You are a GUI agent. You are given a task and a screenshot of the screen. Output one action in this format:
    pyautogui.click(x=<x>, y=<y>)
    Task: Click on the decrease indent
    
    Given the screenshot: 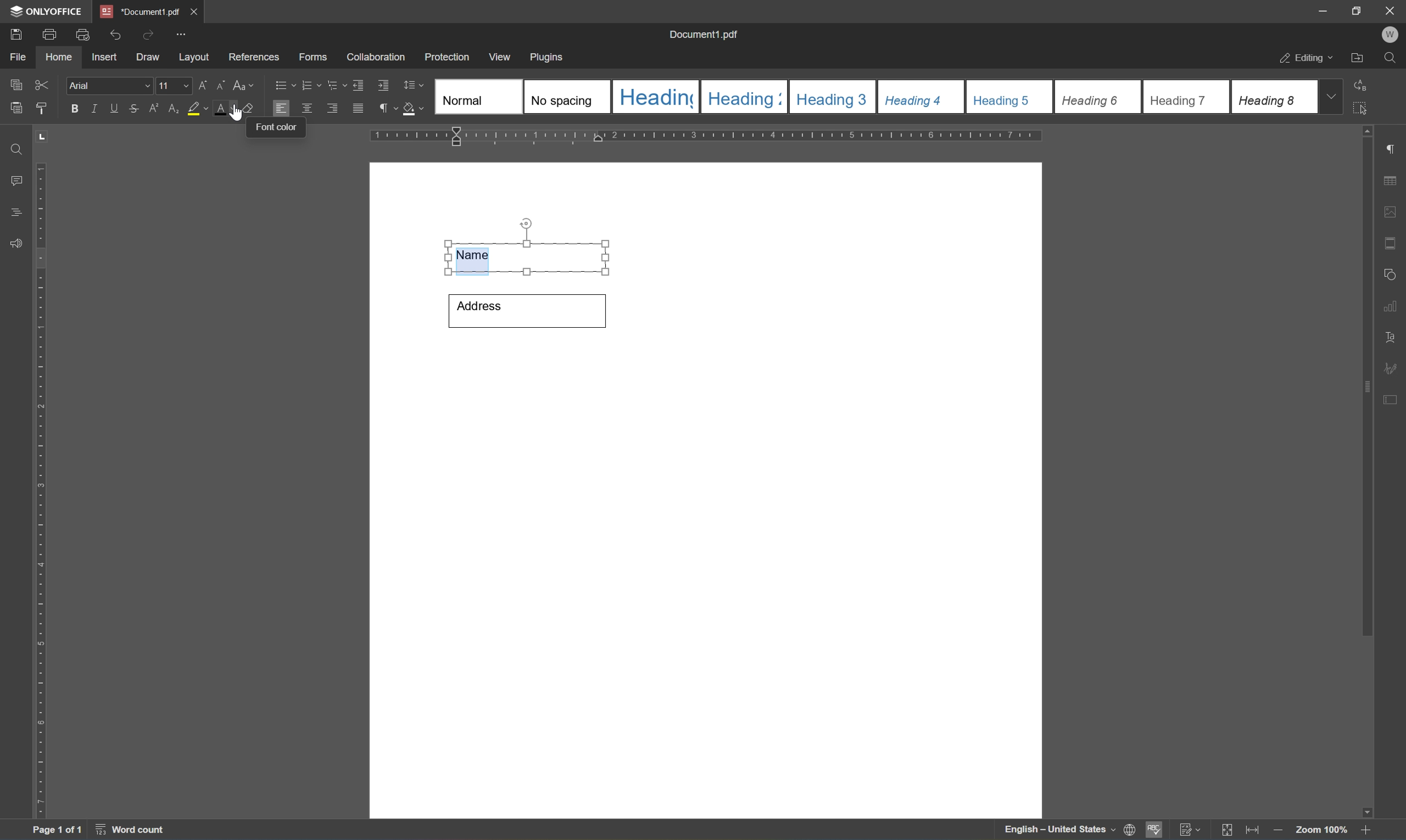 What is the action you would take?
    pyautogui.click(x=358, y=84)
    